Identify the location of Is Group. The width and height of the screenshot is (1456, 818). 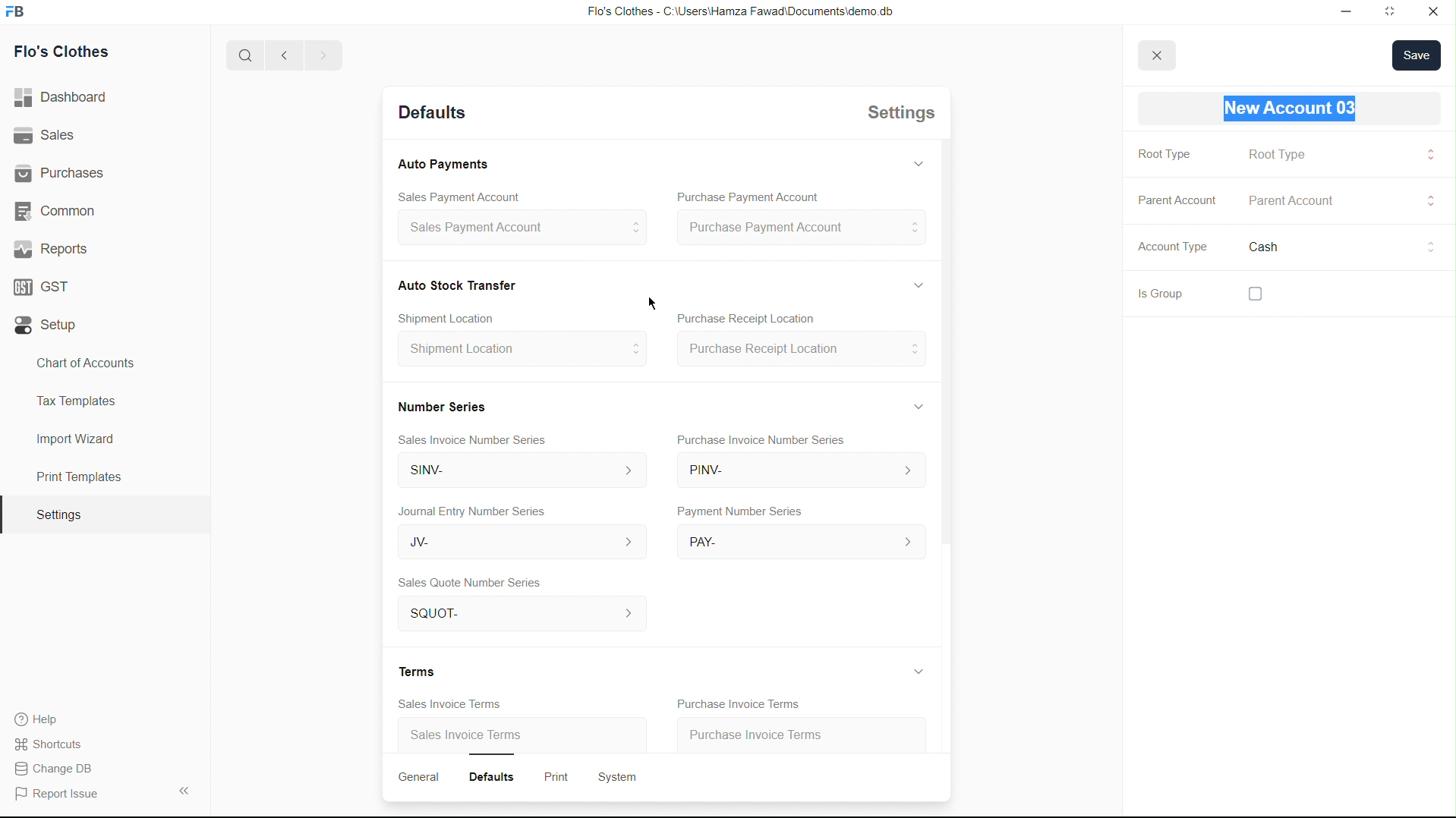
(1154, 296).